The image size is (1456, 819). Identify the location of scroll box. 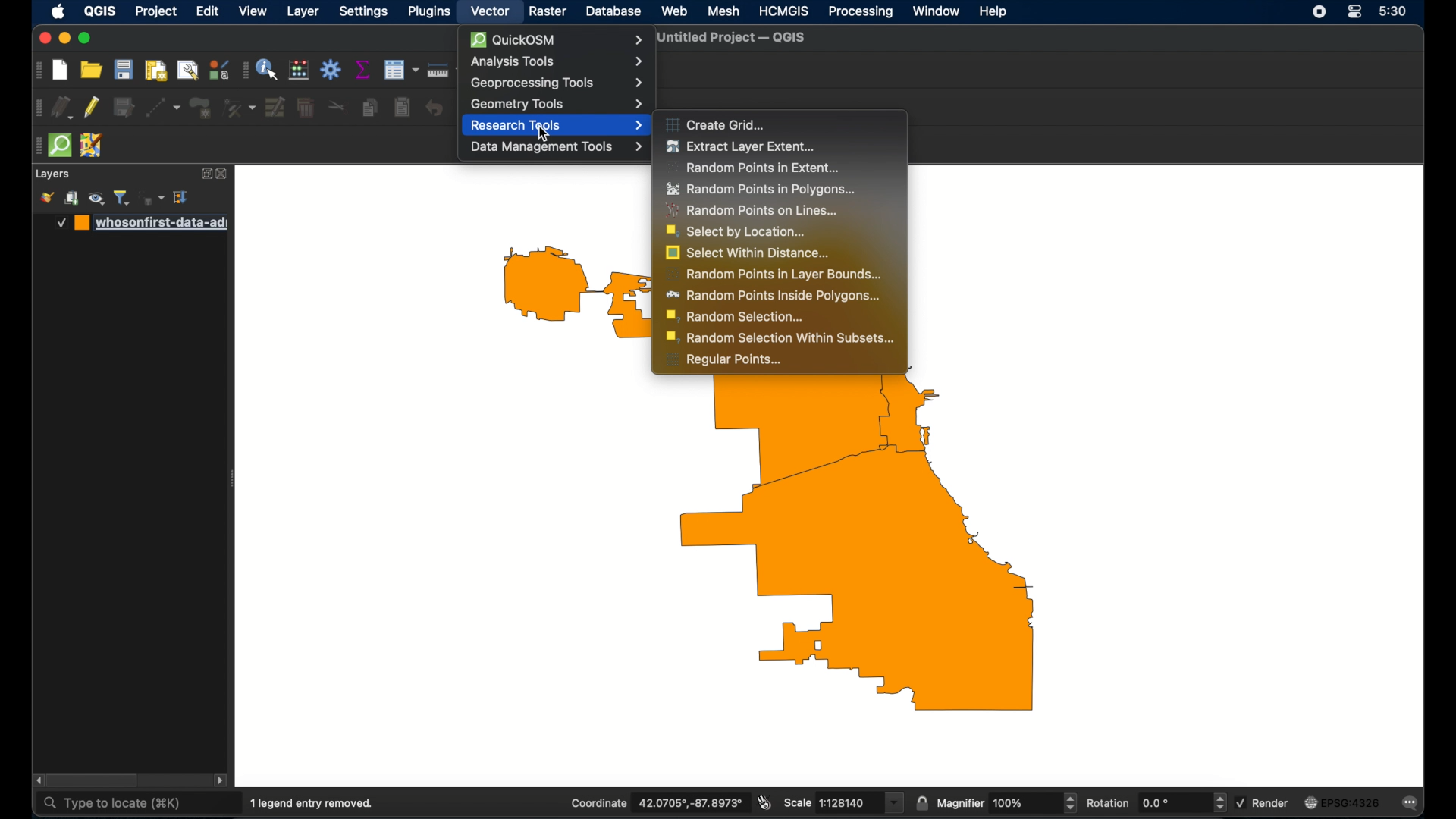
(96, 780).